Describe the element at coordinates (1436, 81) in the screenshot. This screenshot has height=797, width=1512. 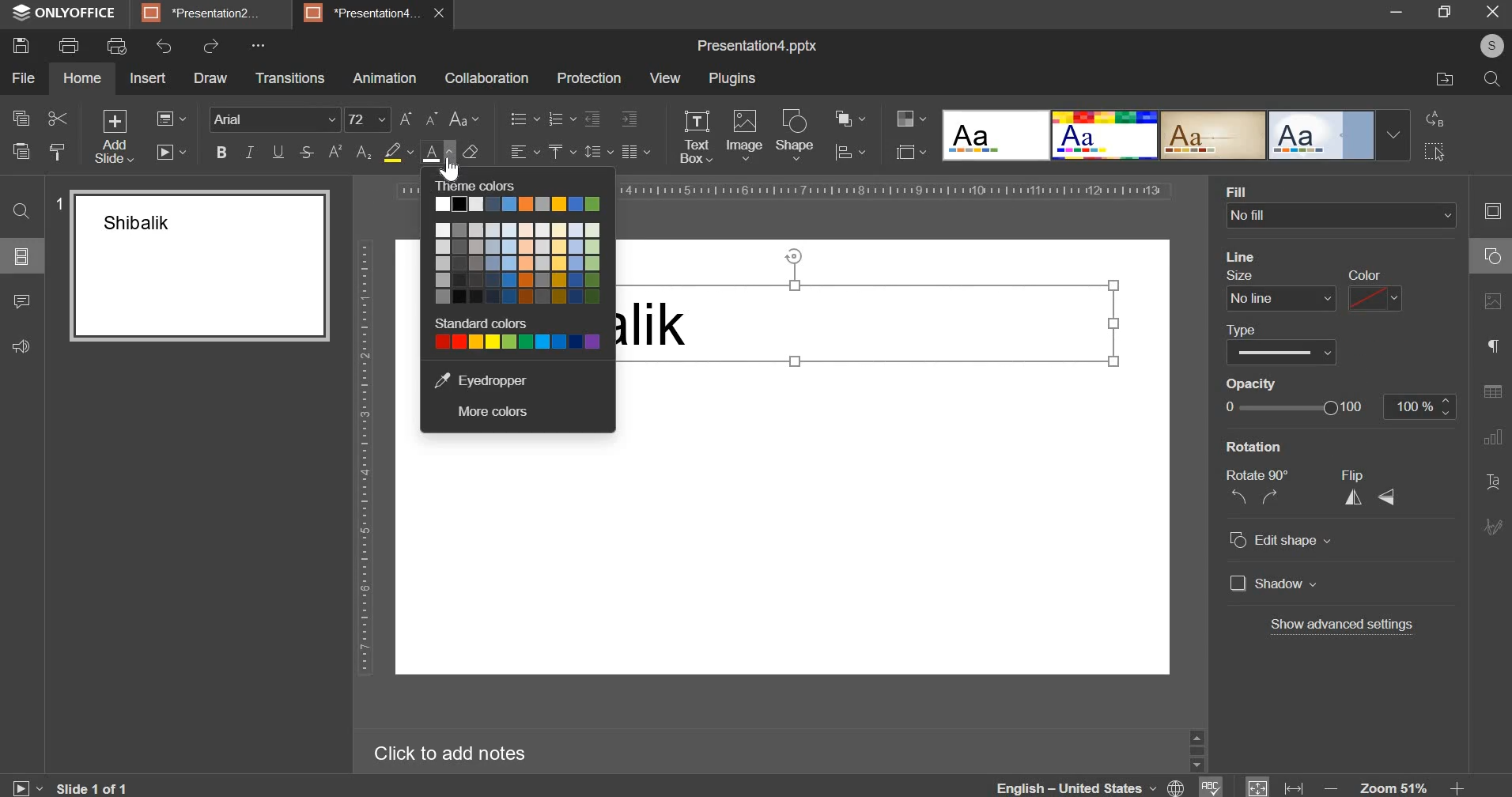
I see `File` at that location.